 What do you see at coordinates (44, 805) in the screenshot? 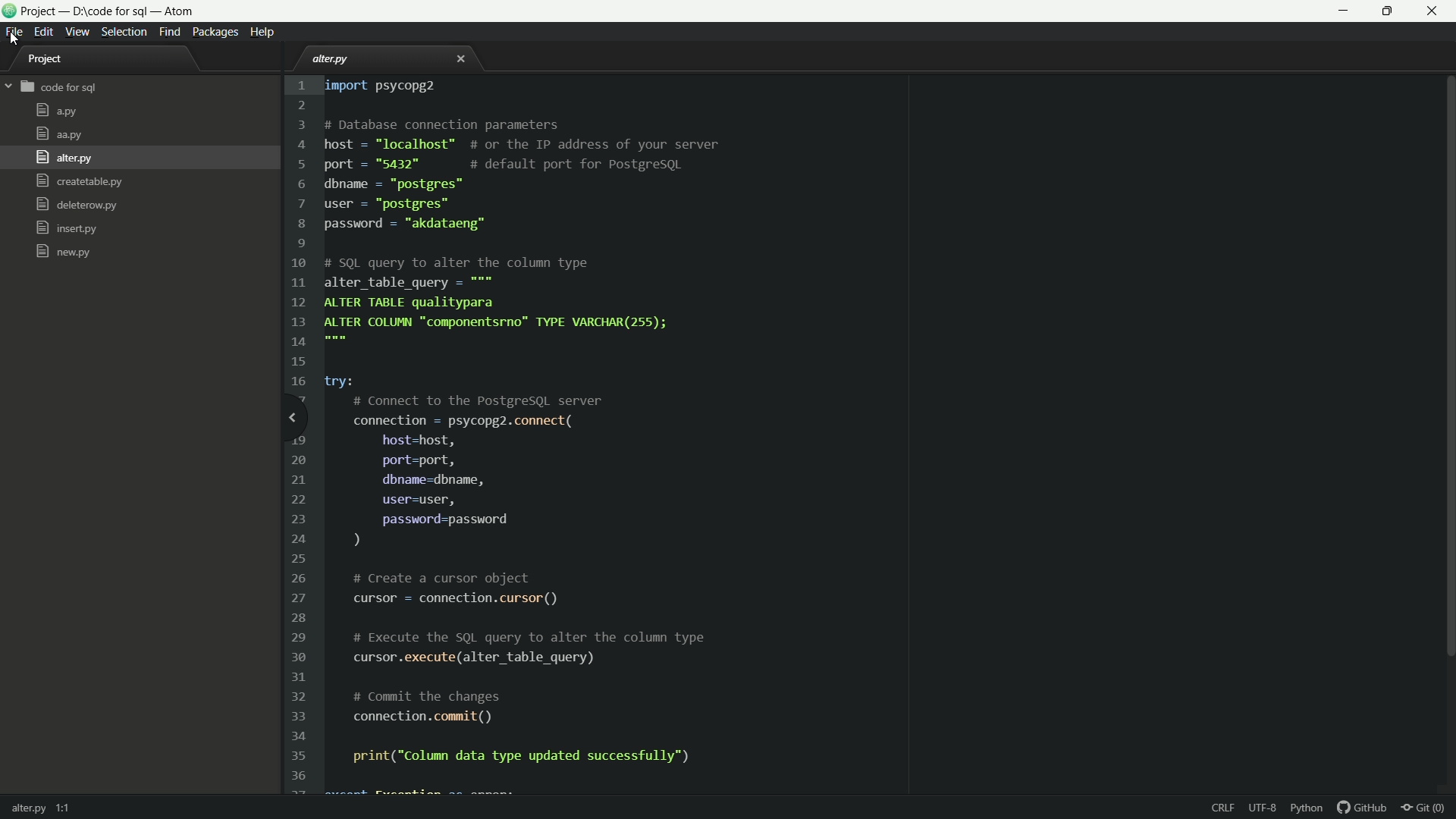
I see `alter.py 1:1` at bounding box center [44, 805].